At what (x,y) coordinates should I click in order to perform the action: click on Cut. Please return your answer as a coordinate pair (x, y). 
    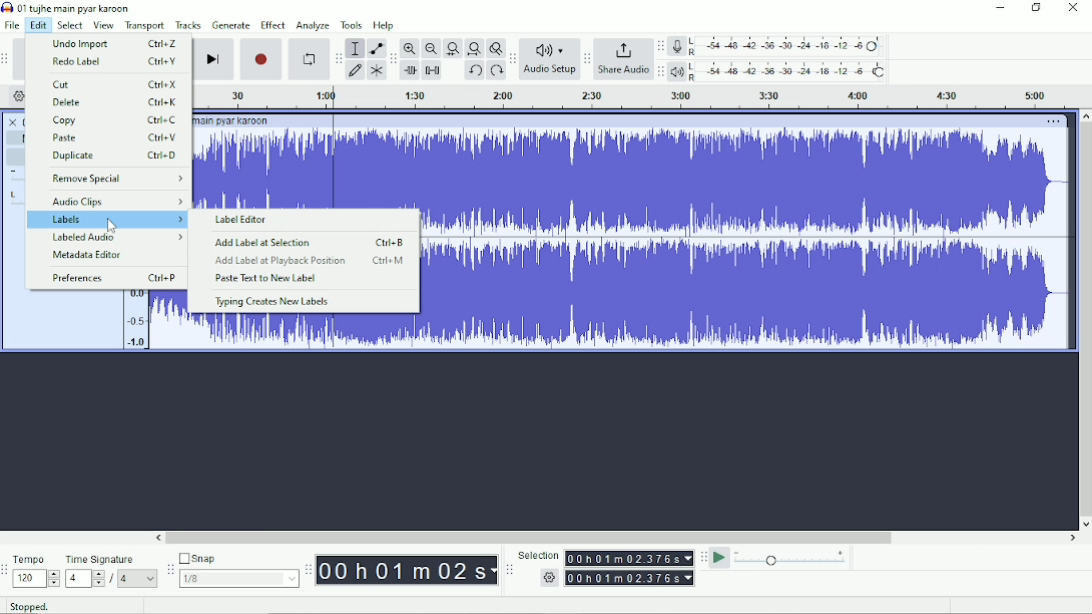
    Looking at the image, I should click on (116, 84).